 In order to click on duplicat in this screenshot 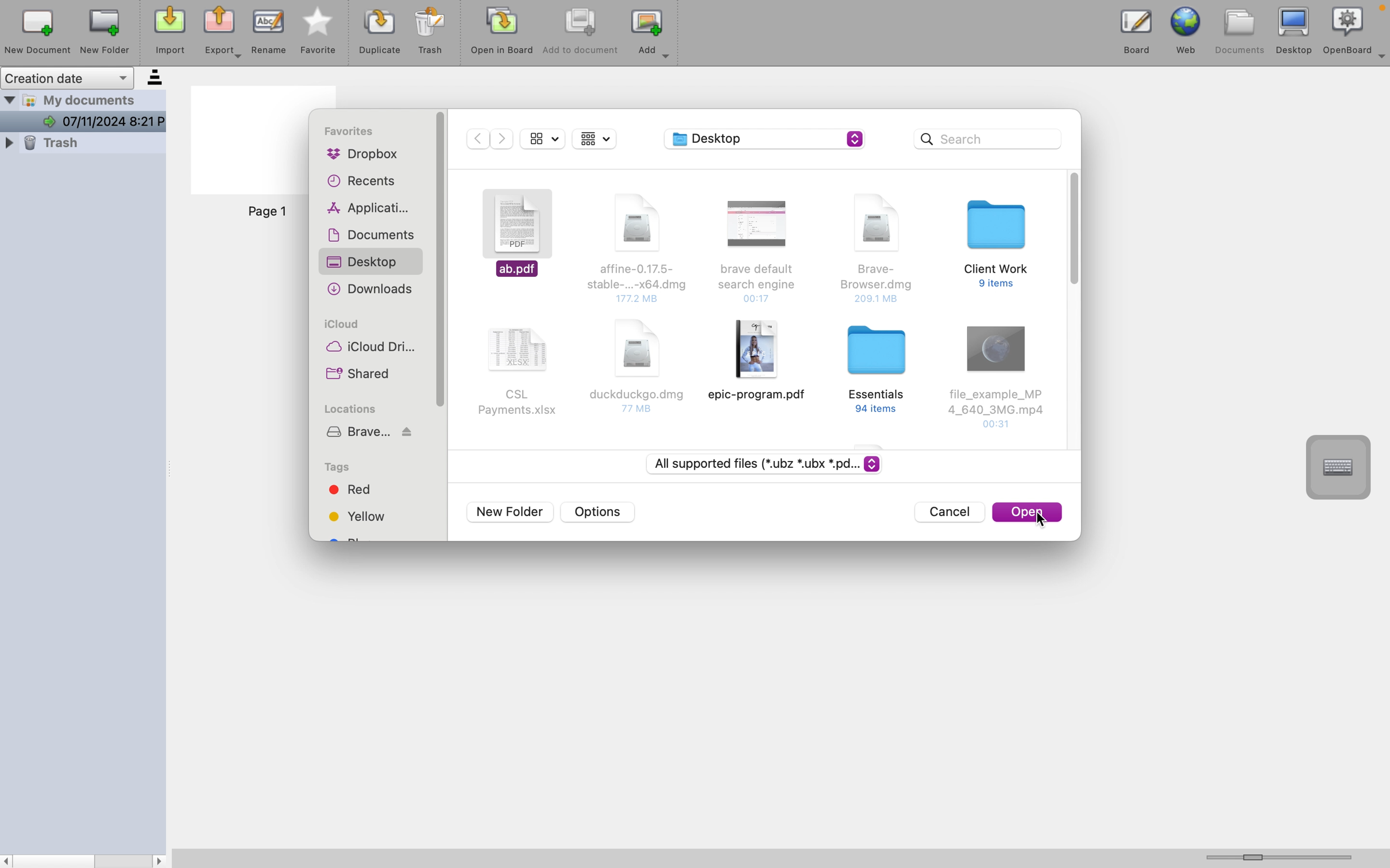, I will do `click(379, 35)`.